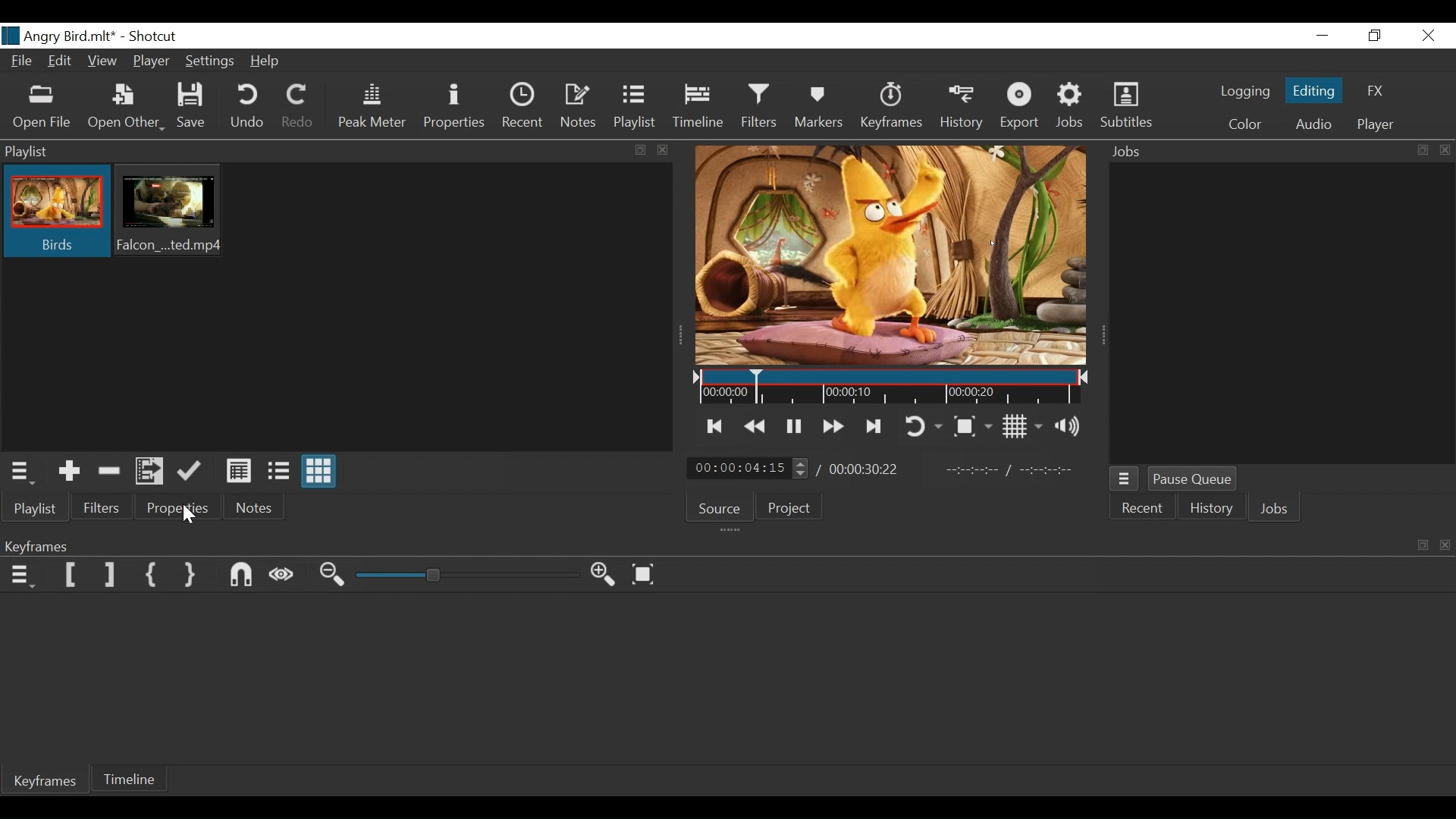 This screenshot has width=1456, height=819. What do you see at coordinates (761, 108) in the screenshot?
I see `Filters` at bounding box center [761, 108].